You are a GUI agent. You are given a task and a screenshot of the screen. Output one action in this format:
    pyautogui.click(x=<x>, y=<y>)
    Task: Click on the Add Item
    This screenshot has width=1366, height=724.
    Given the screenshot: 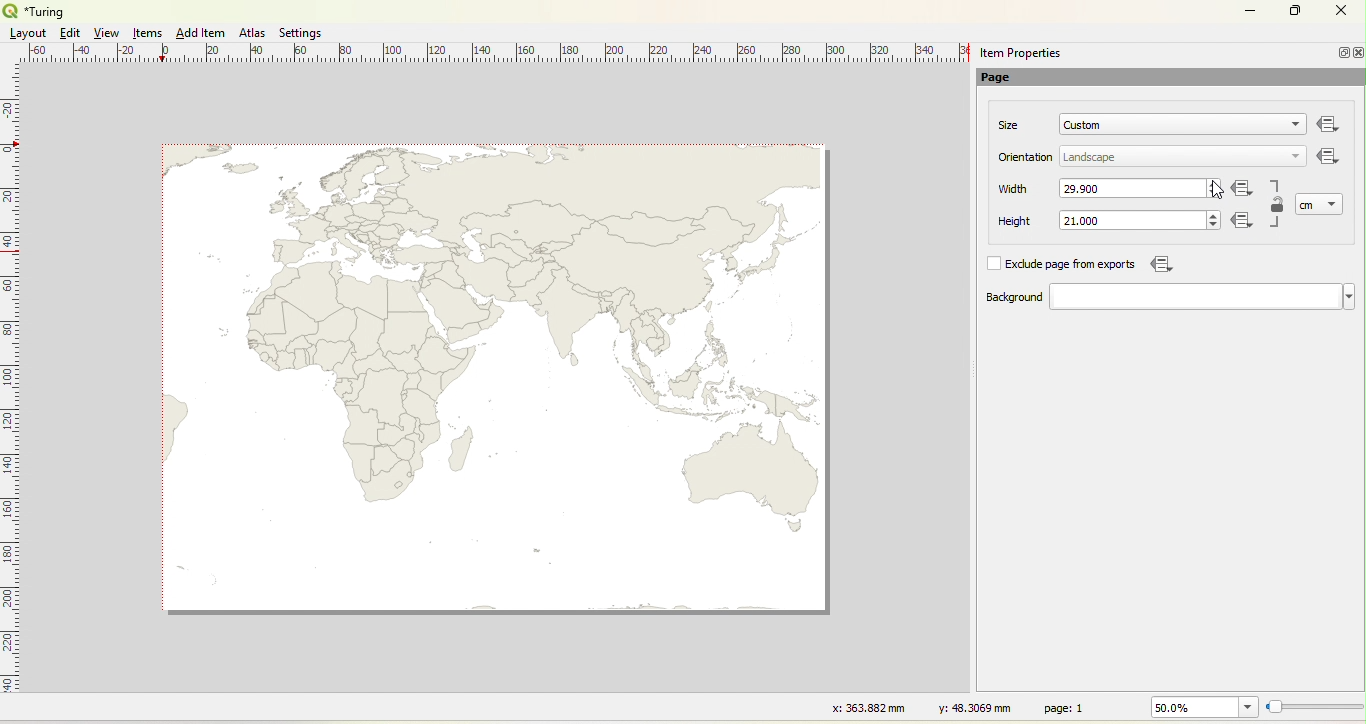 What is the action you would take?
    pyautogui.click(x=200, y=33)
    